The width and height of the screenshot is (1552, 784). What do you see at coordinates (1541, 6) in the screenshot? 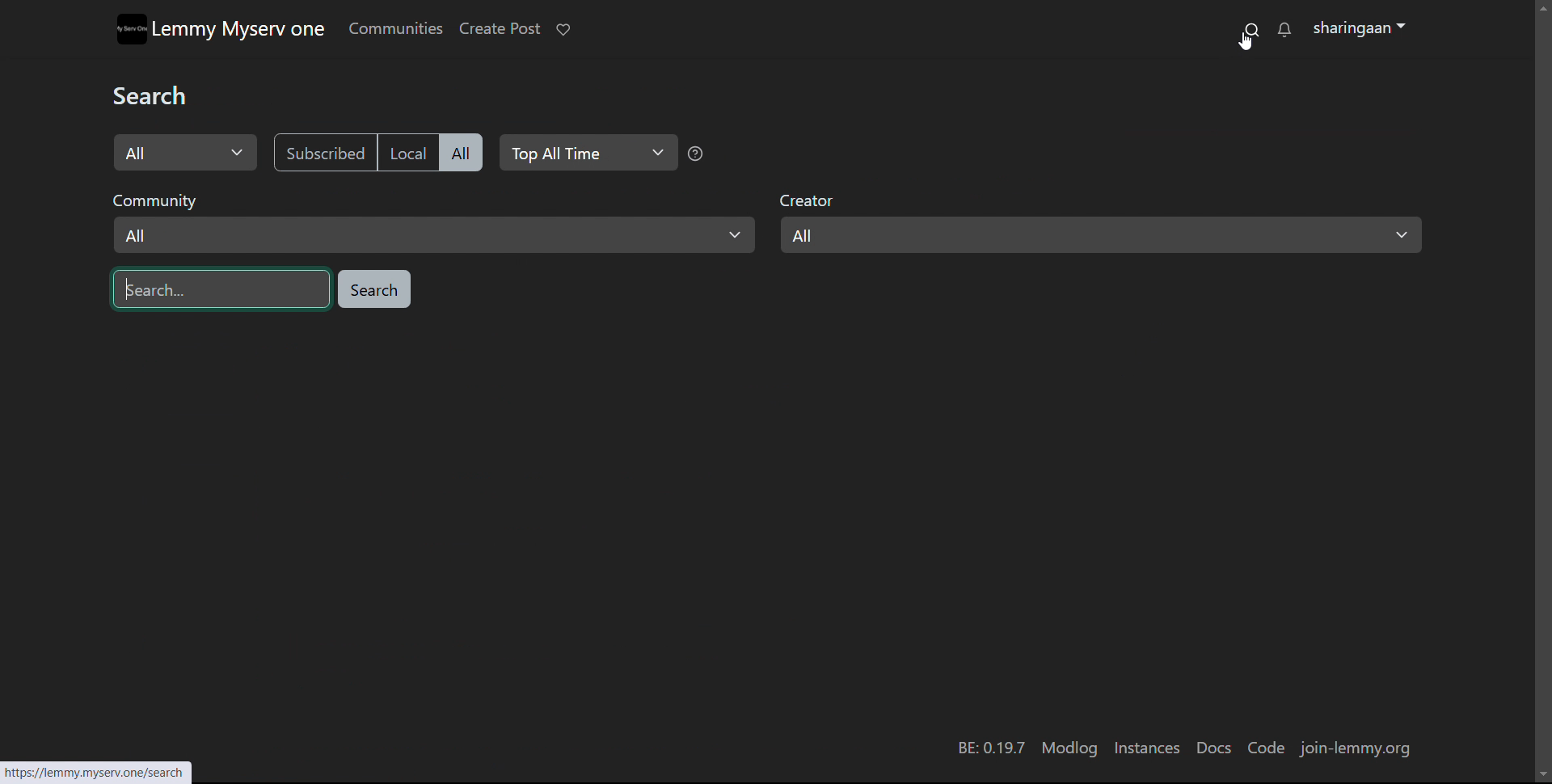
I see `scroll up` at bounding box center [1541, 6].